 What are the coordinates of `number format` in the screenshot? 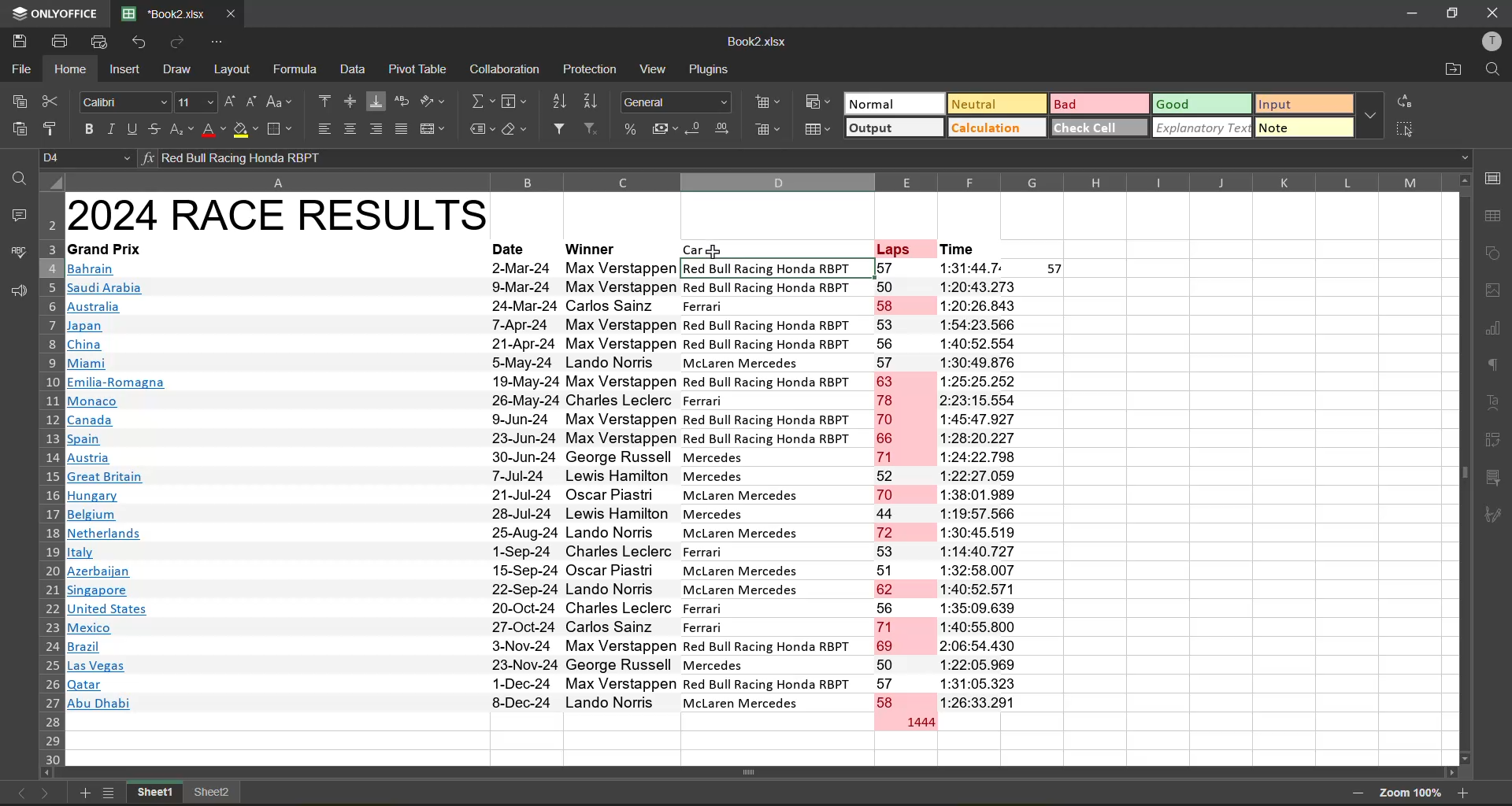 It's located at (676, 102).